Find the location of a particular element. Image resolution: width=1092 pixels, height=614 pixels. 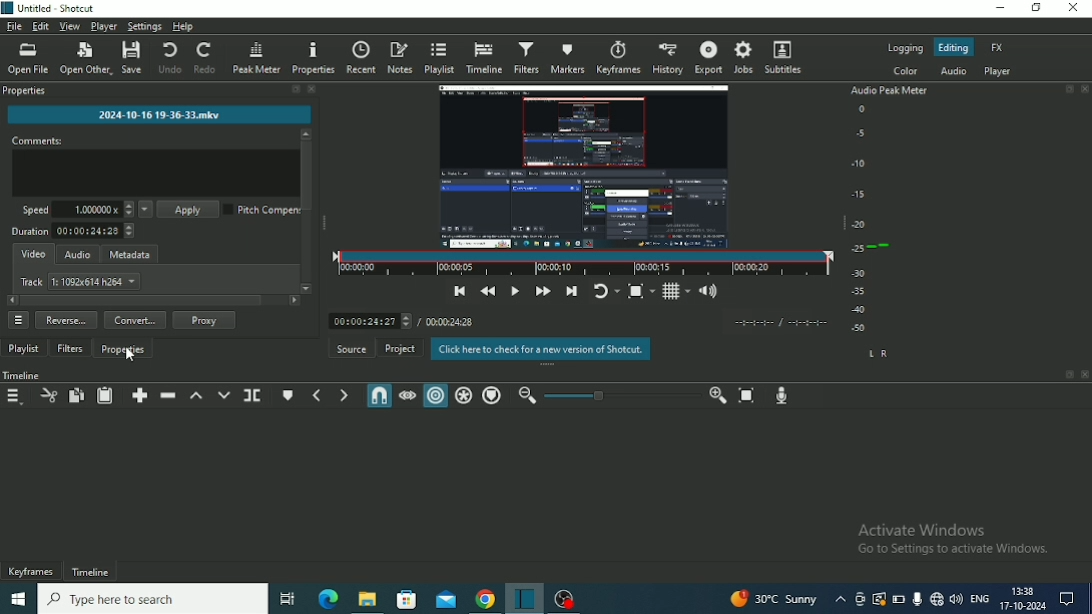

Skip to the previous point is located at coordinates (461, 292).